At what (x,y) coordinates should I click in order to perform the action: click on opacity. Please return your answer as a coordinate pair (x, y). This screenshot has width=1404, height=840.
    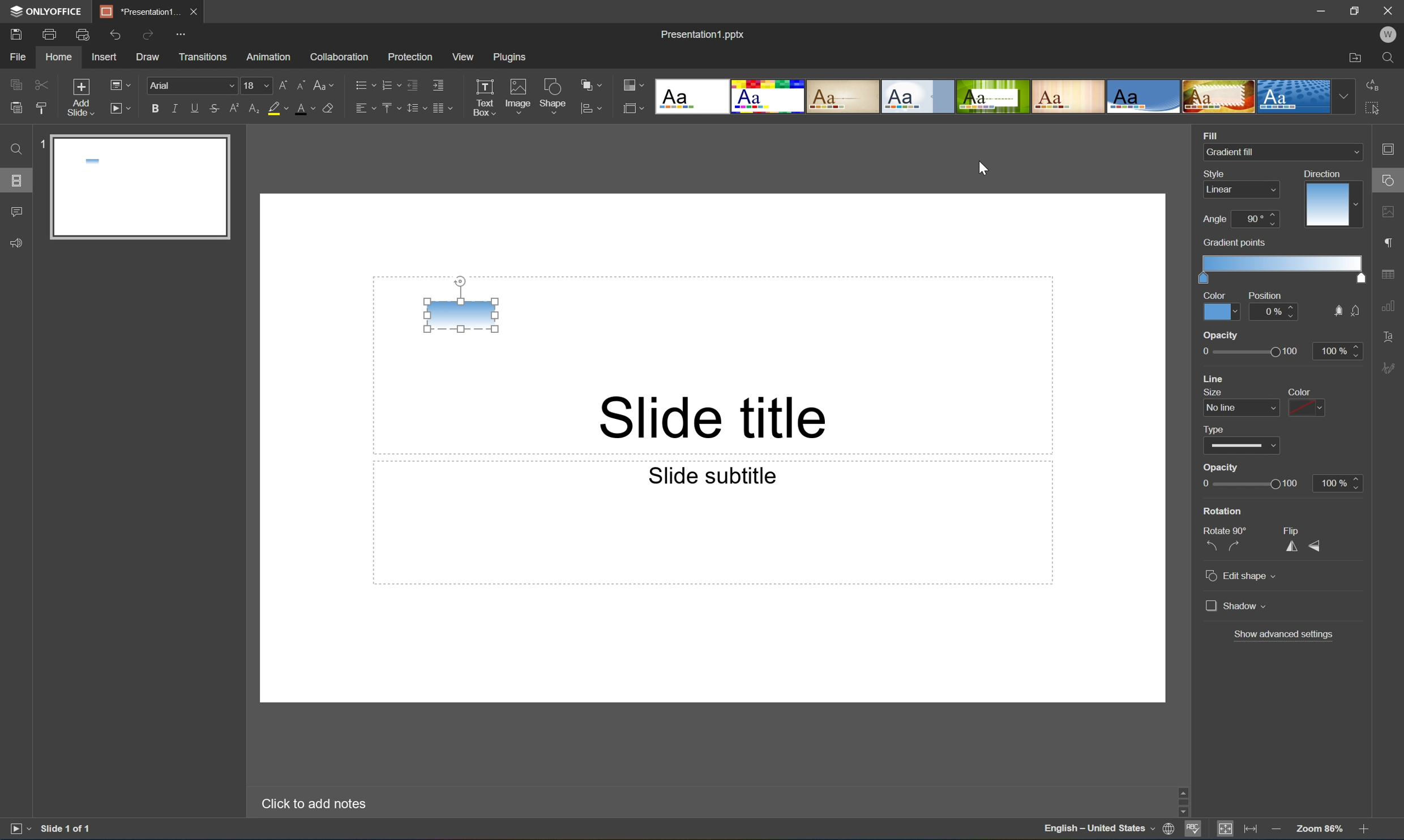
    Looking at the image, I should click on (1222, 335).